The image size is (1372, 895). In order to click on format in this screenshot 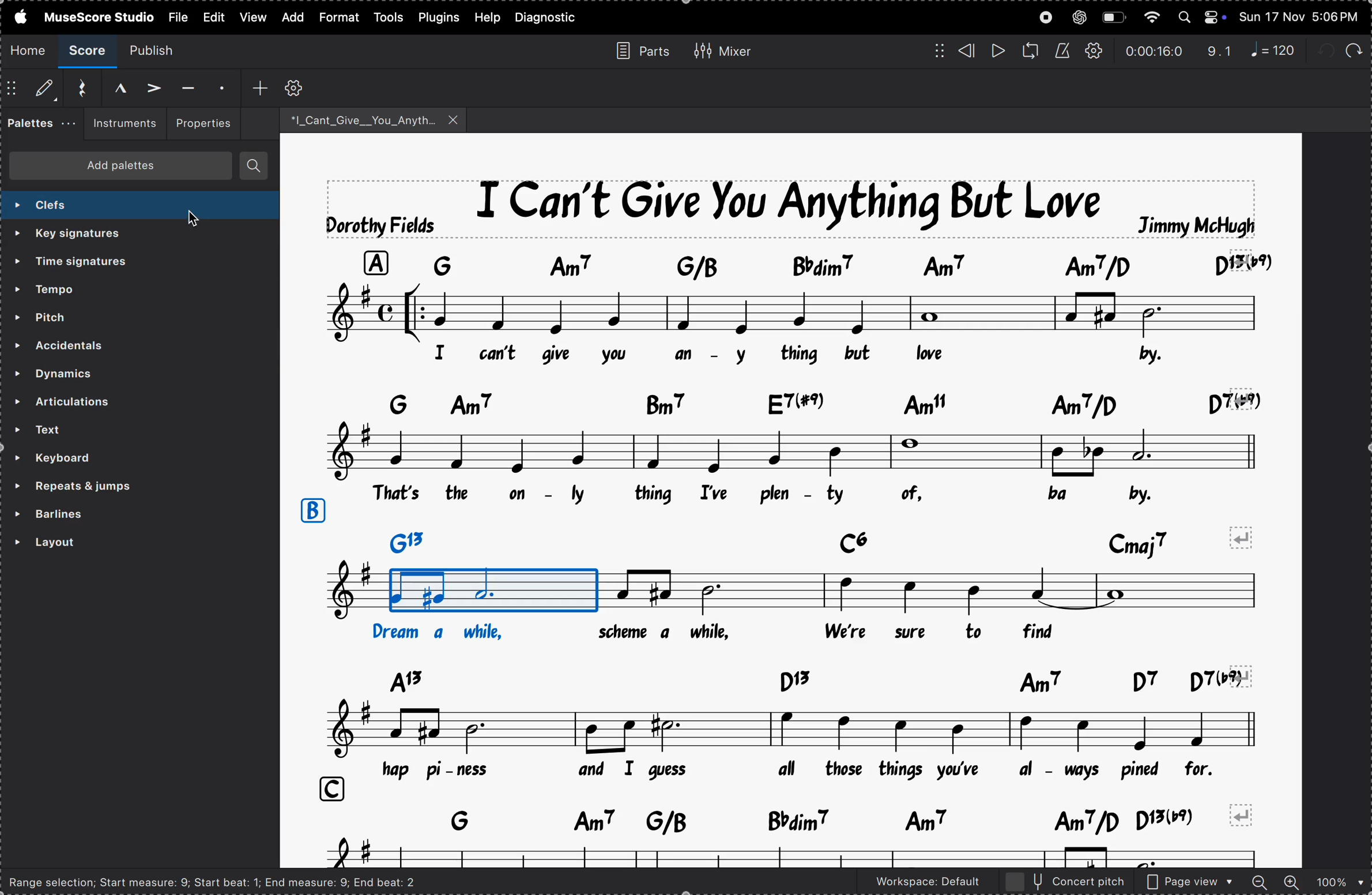, I will do `click(337, 18)`.